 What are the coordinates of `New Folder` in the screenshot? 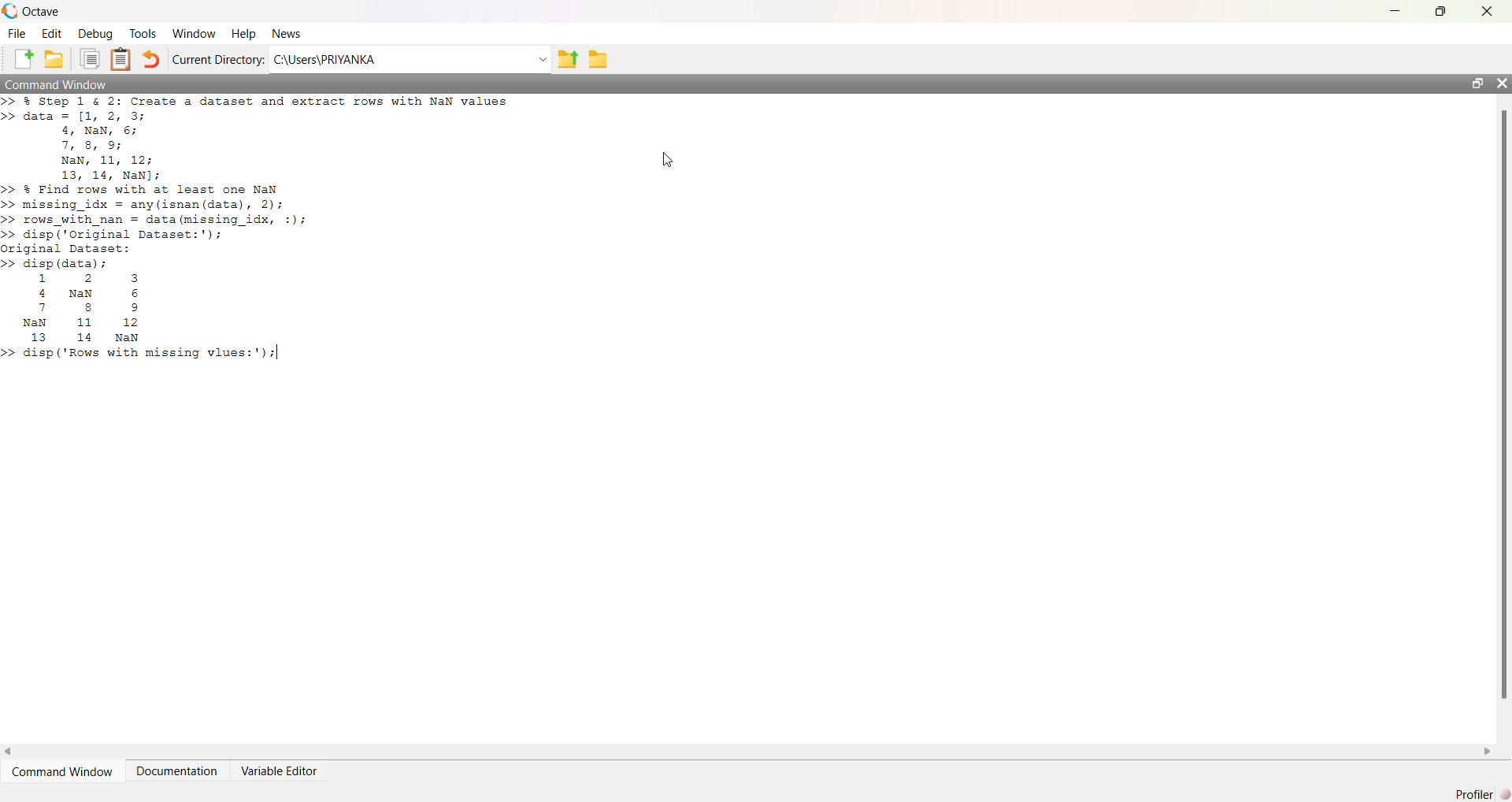 It's located at (54, 59).